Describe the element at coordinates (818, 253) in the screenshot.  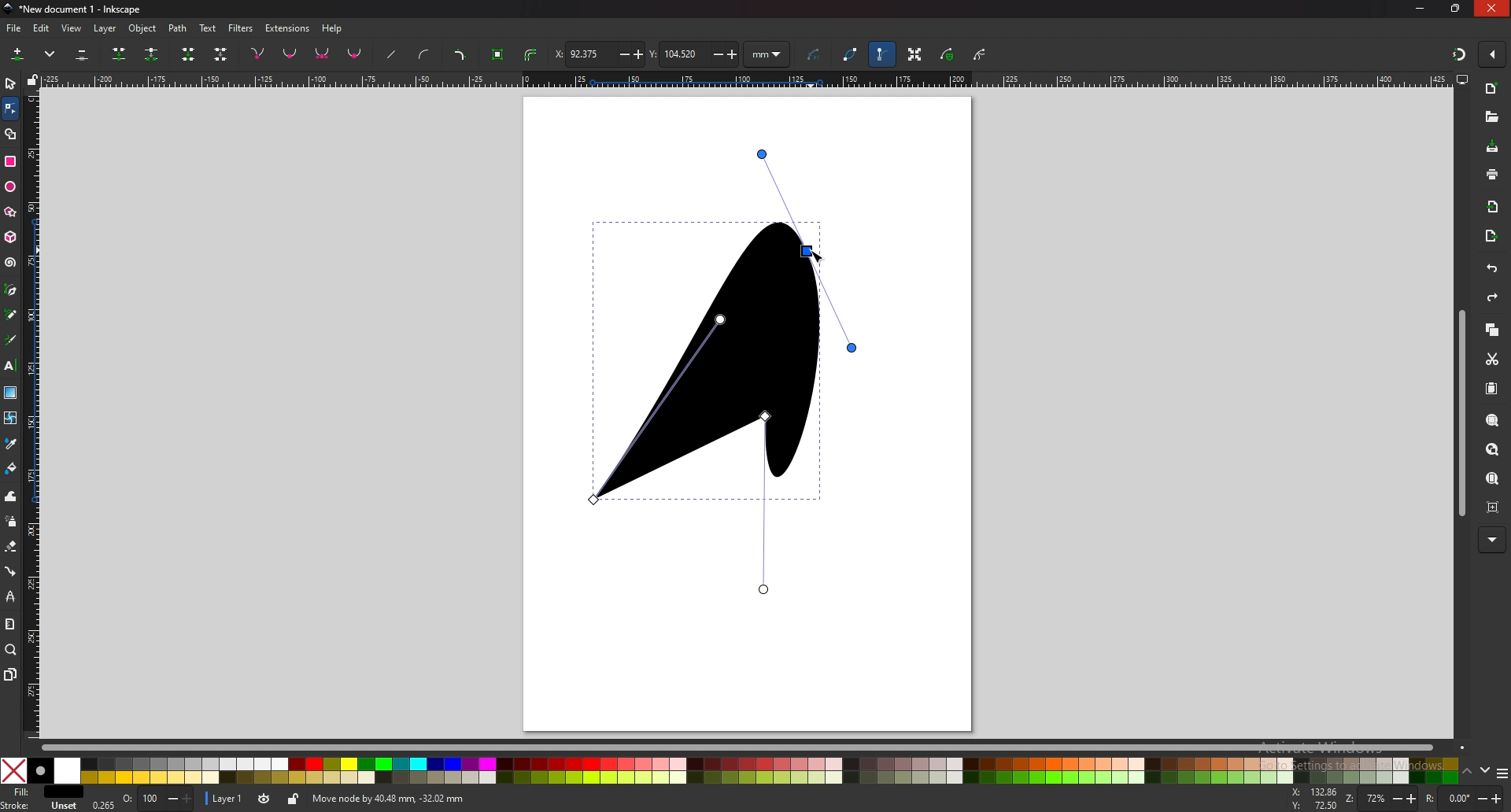
I see `cursor` at that location.